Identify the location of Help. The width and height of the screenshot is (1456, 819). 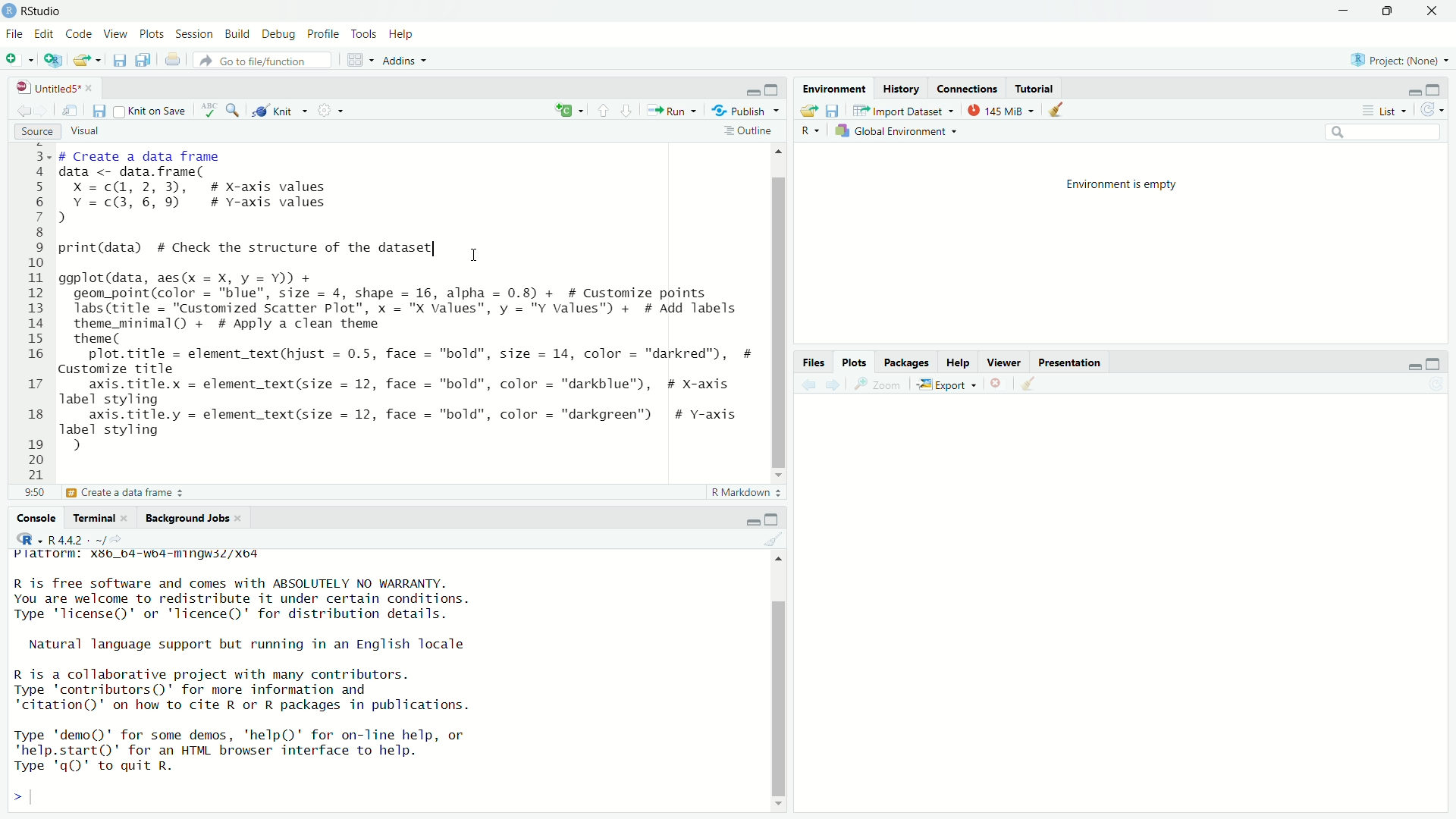
(955, 365).